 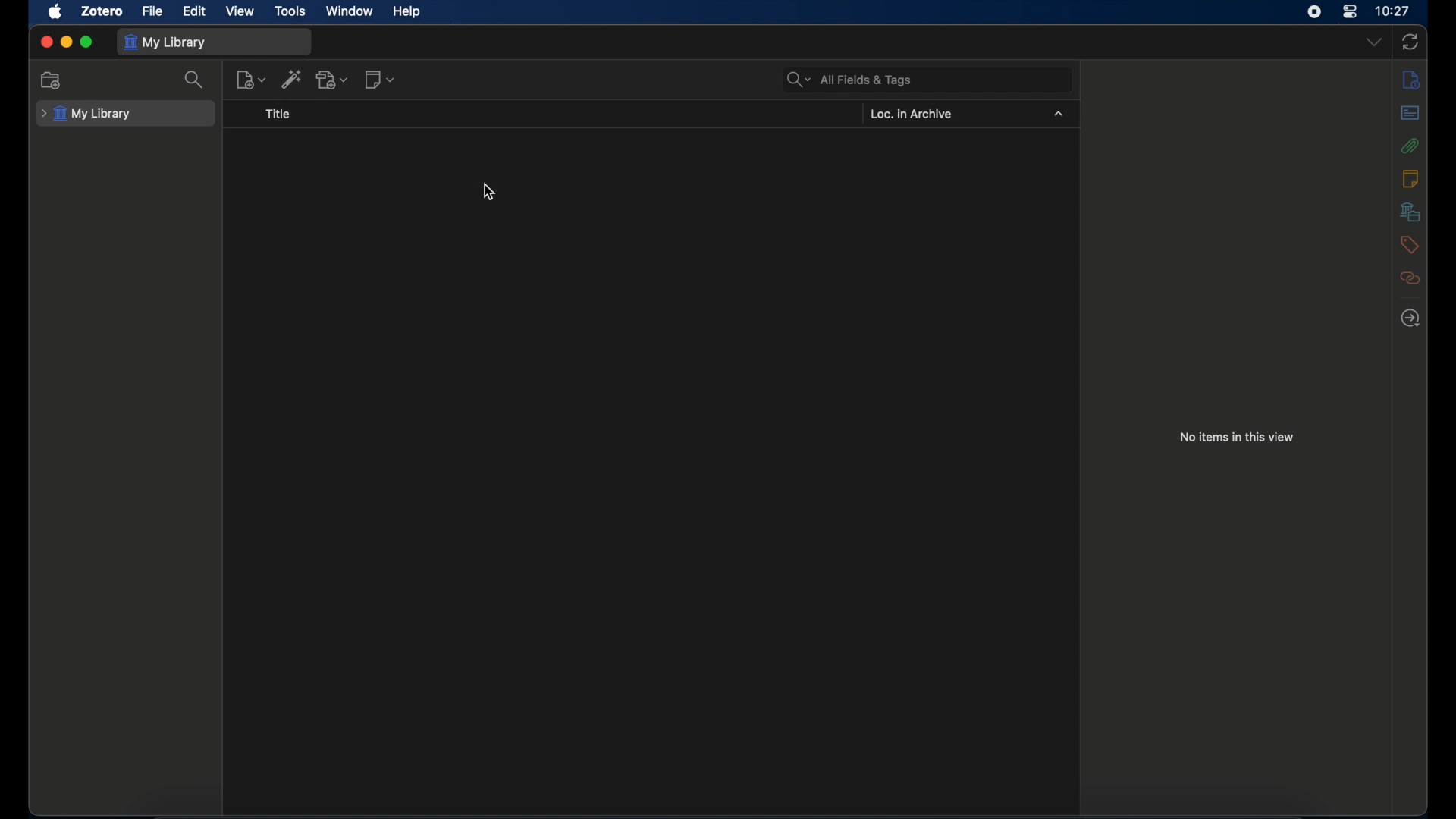 I want to click on dropdown, so click(x=1059, y=115).